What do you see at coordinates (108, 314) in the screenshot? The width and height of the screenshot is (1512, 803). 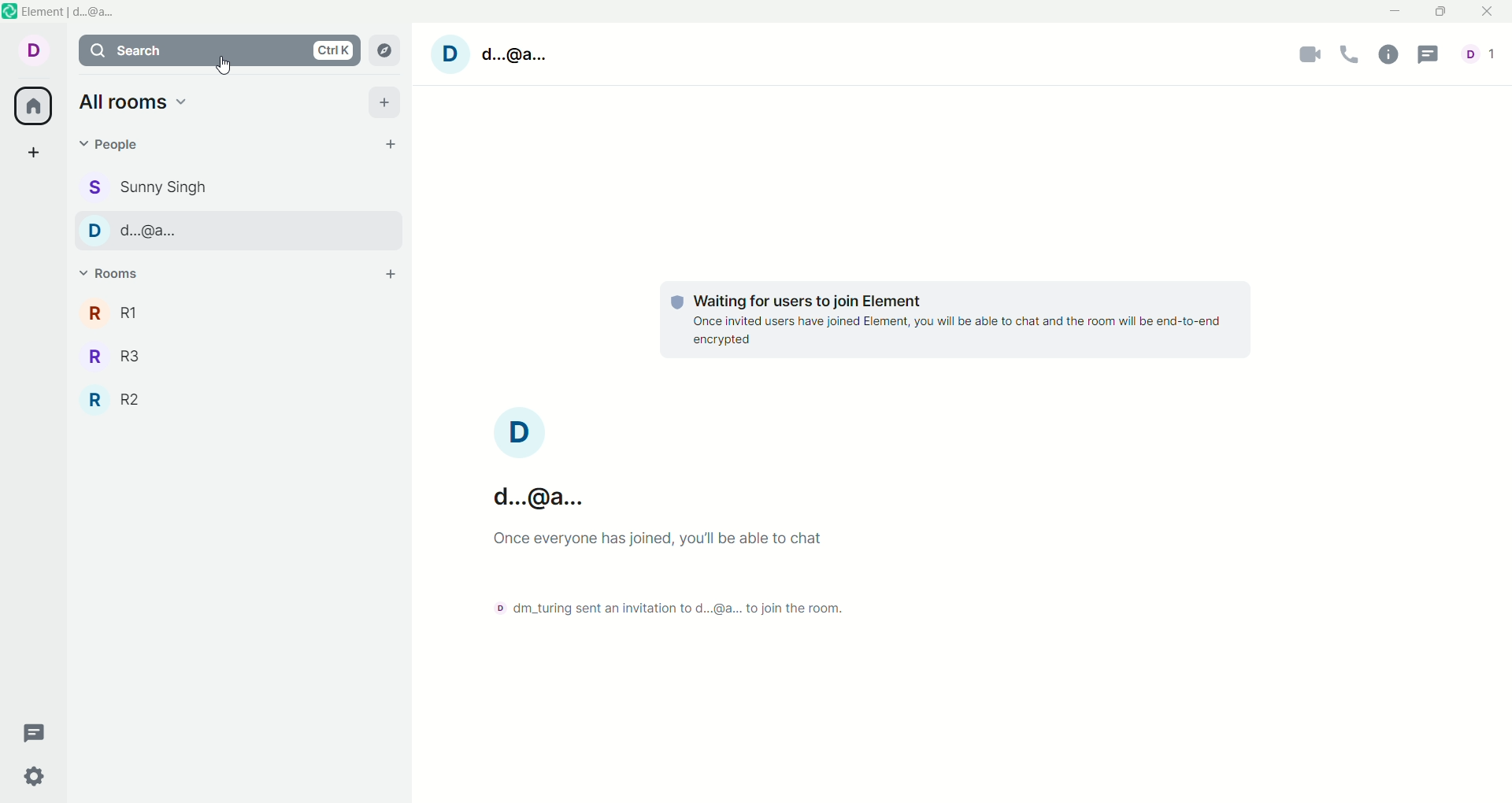 I see `R1` at bounding box center [108, 314].